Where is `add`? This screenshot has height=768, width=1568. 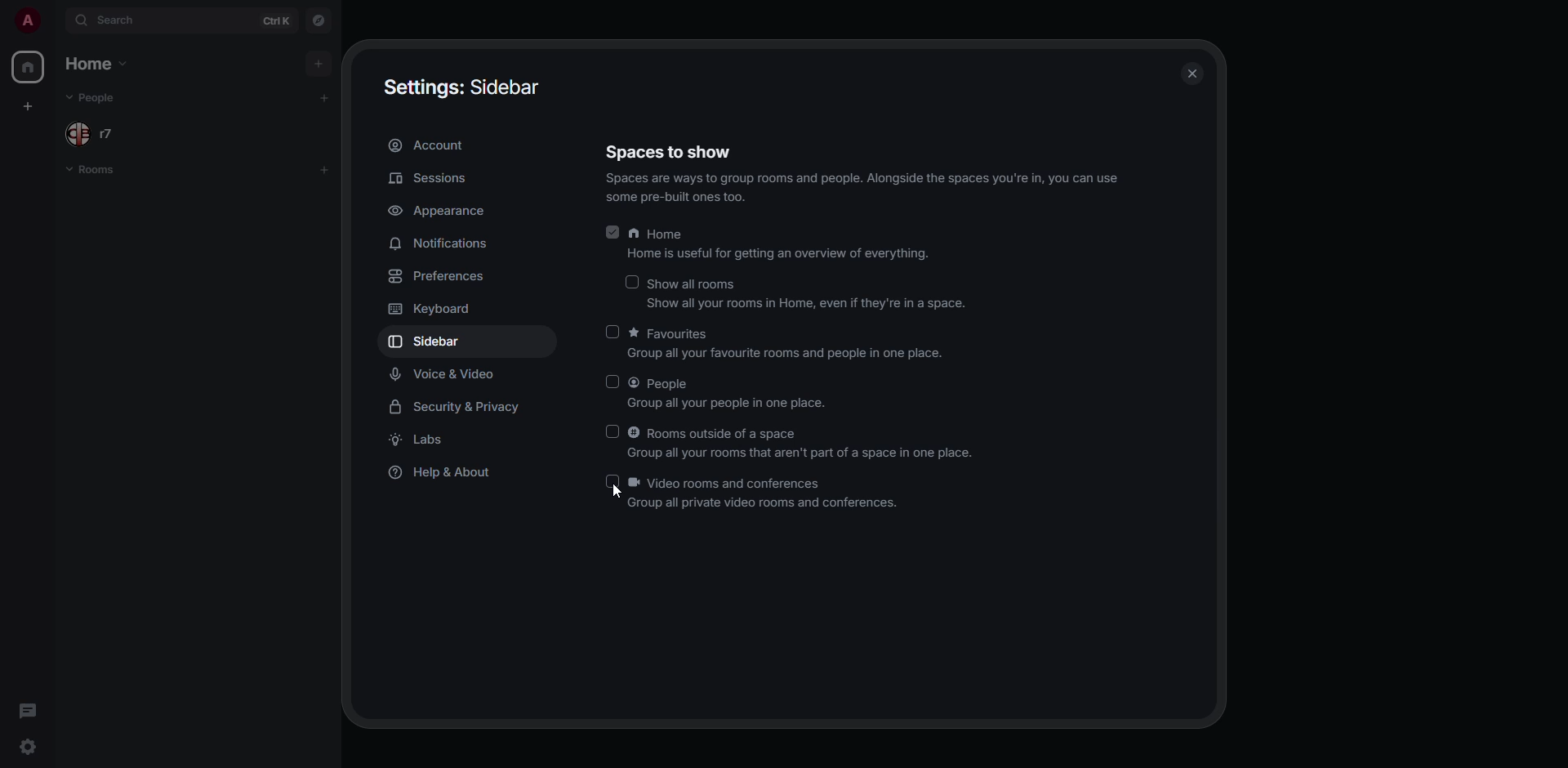
add is located at coordinates (318, 64).